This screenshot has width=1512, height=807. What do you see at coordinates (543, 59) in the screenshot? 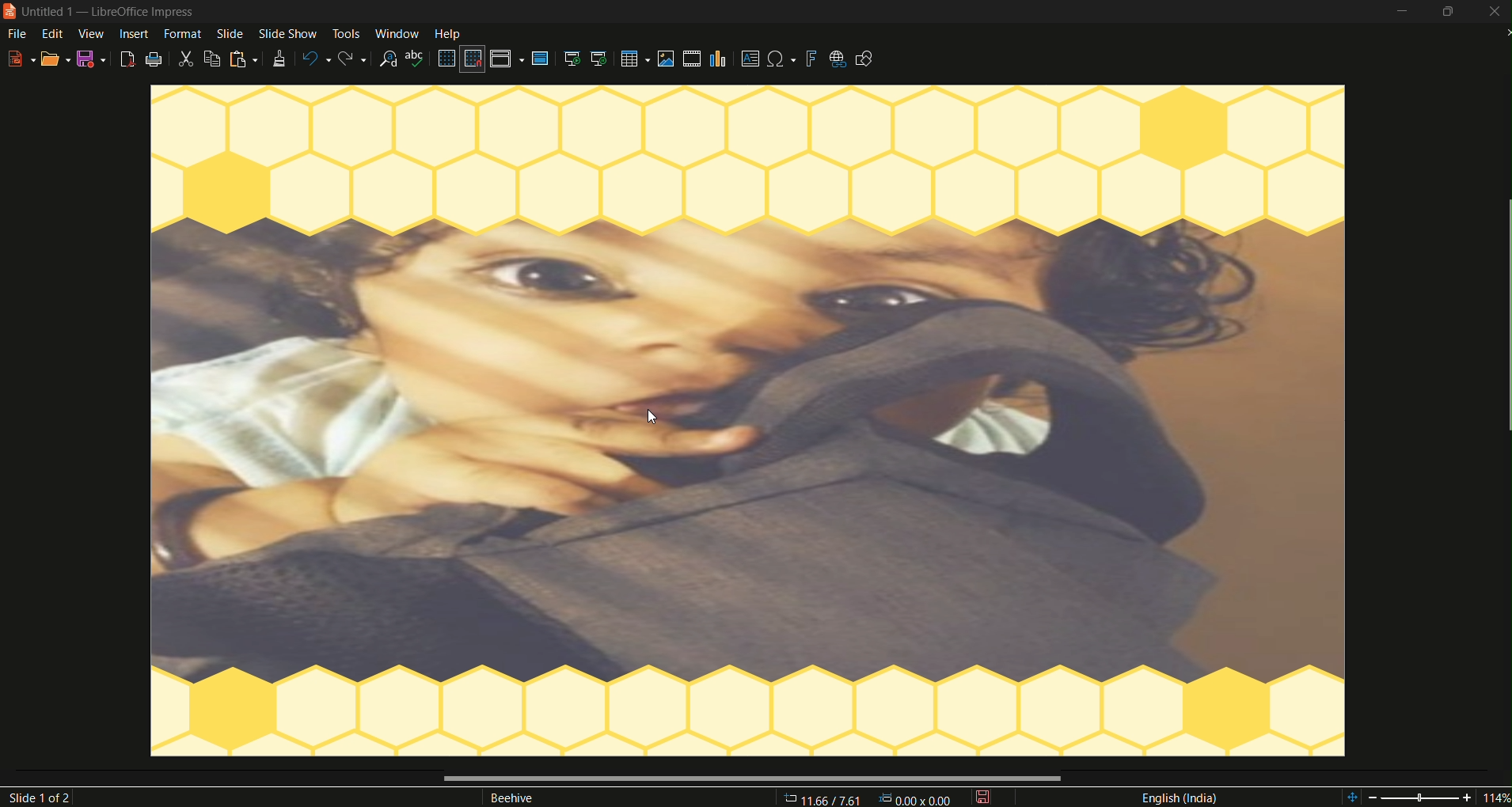
I see `master slide` at bounding box center [543, 59].